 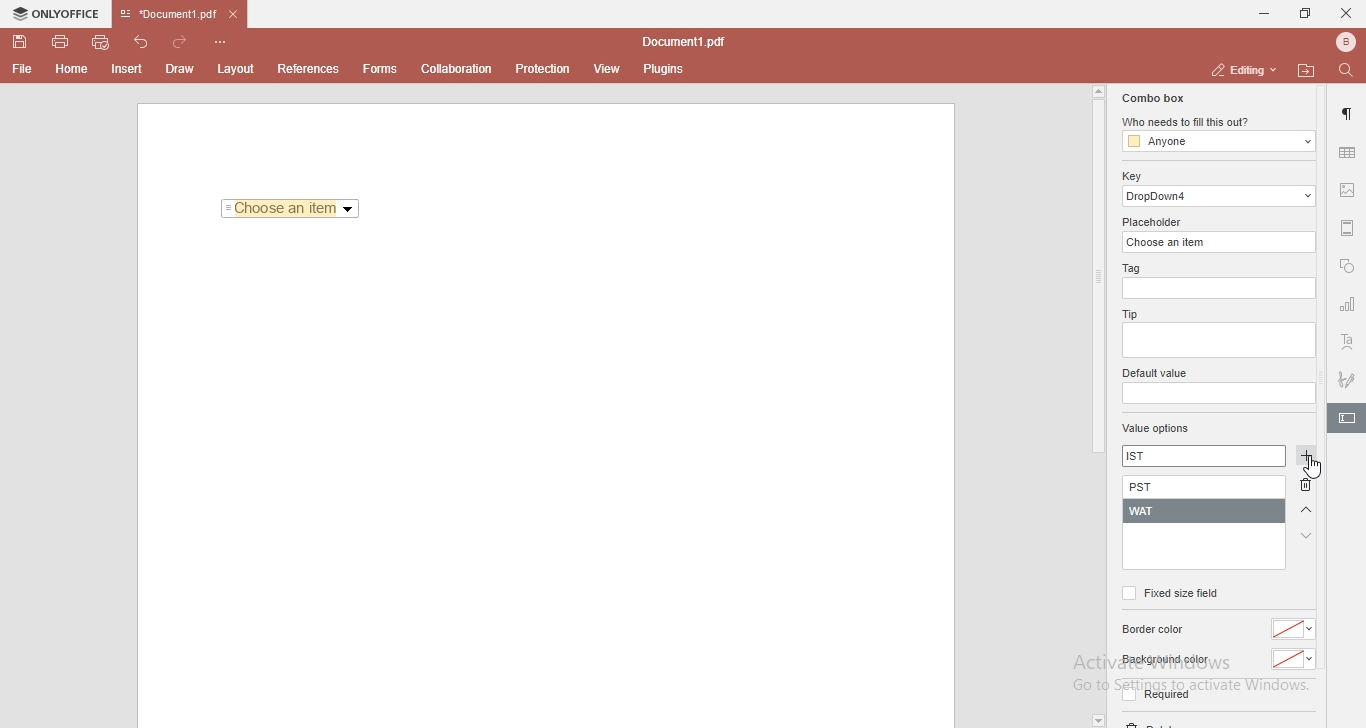 What do you see at coordinates (184, 68) in the screenshot?
I see `Draw` at bounding box center [184, 68].